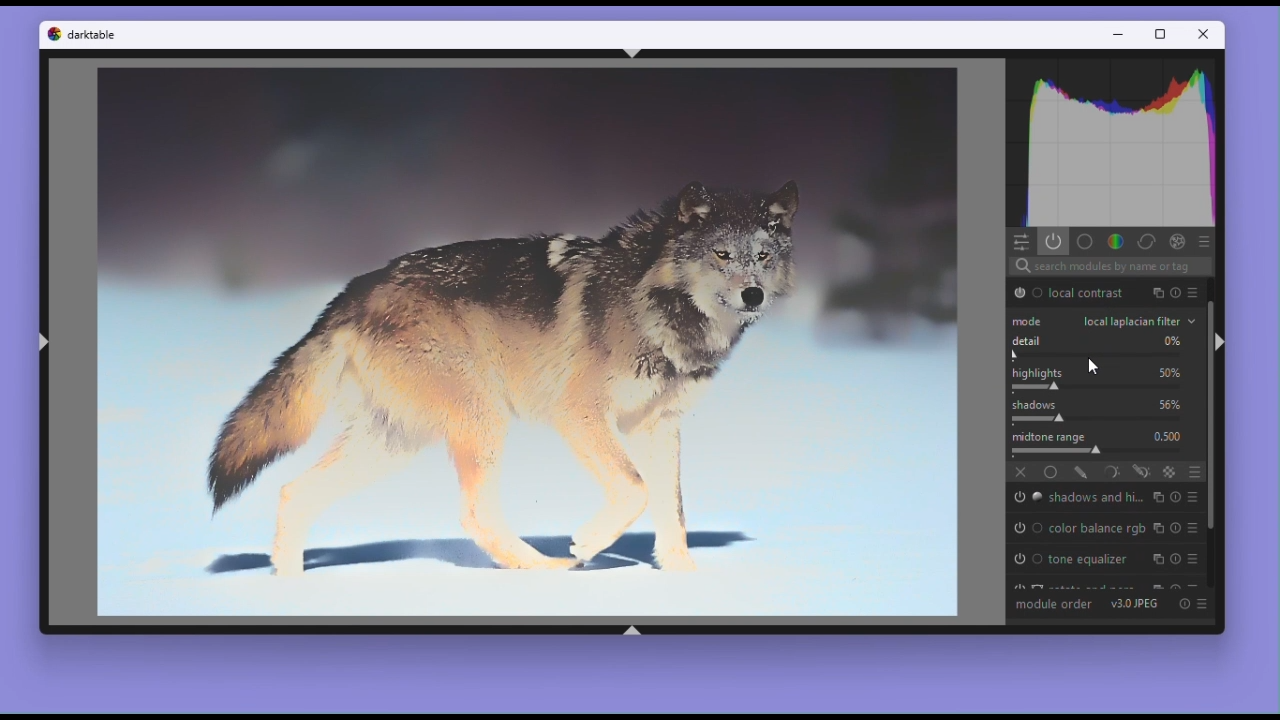  I want to click on Local contrast, so click(1089, 292).